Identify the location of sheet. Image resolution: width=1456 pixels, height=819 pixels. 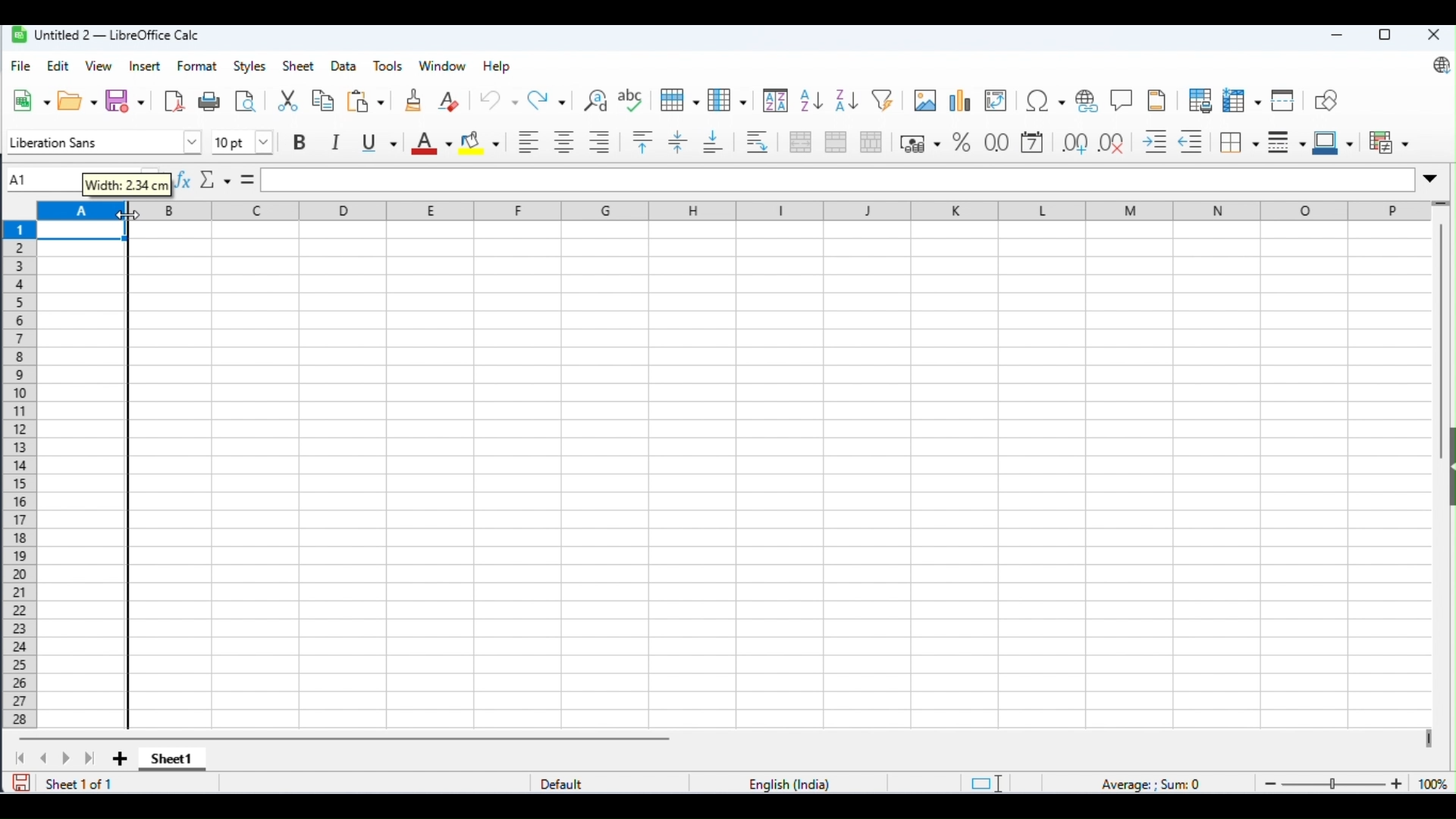
(300, 65).